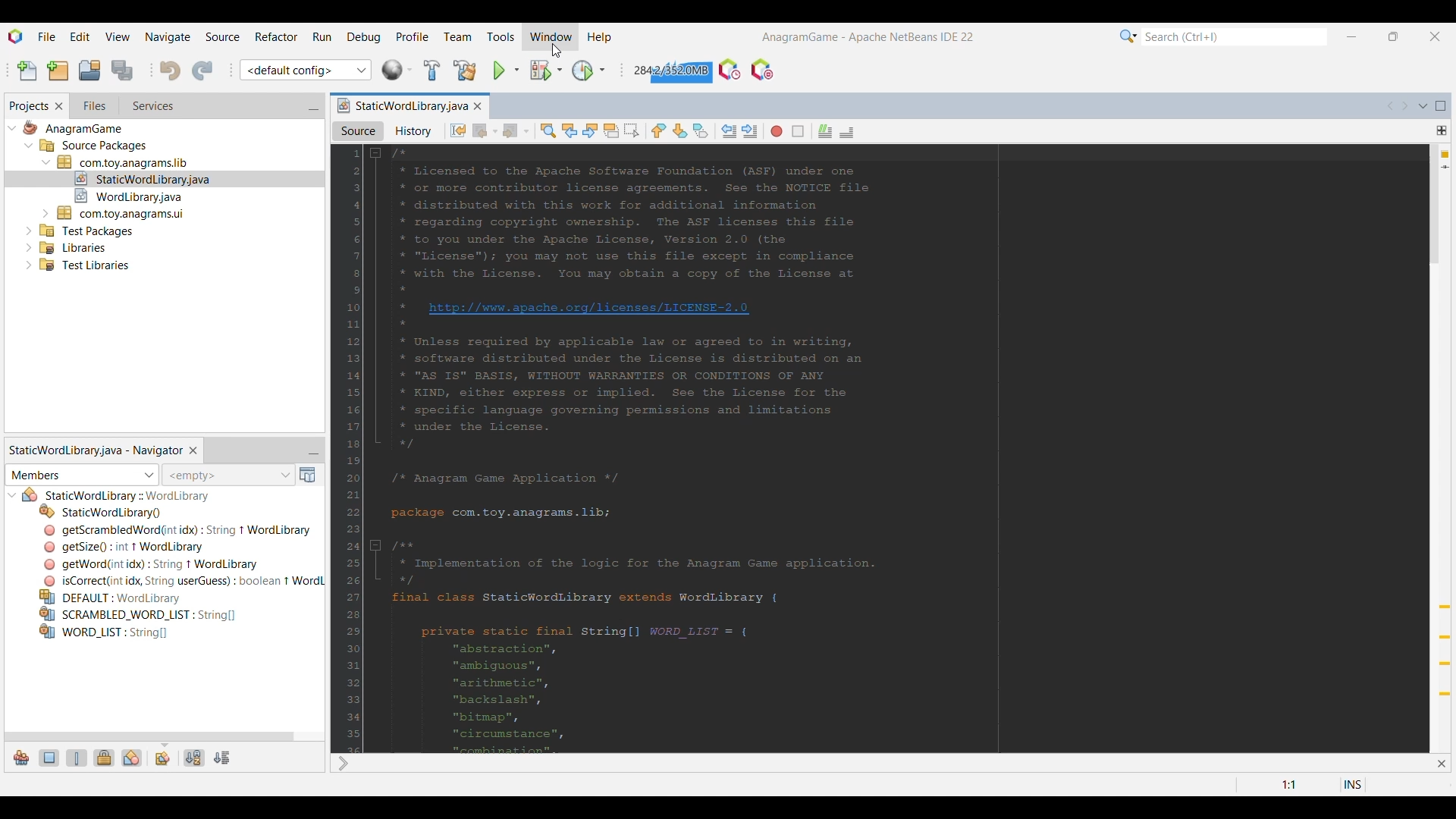  What do you see at coordinates (72, 246) in the screenshot?
I see `` at bounding box center [72, 246].